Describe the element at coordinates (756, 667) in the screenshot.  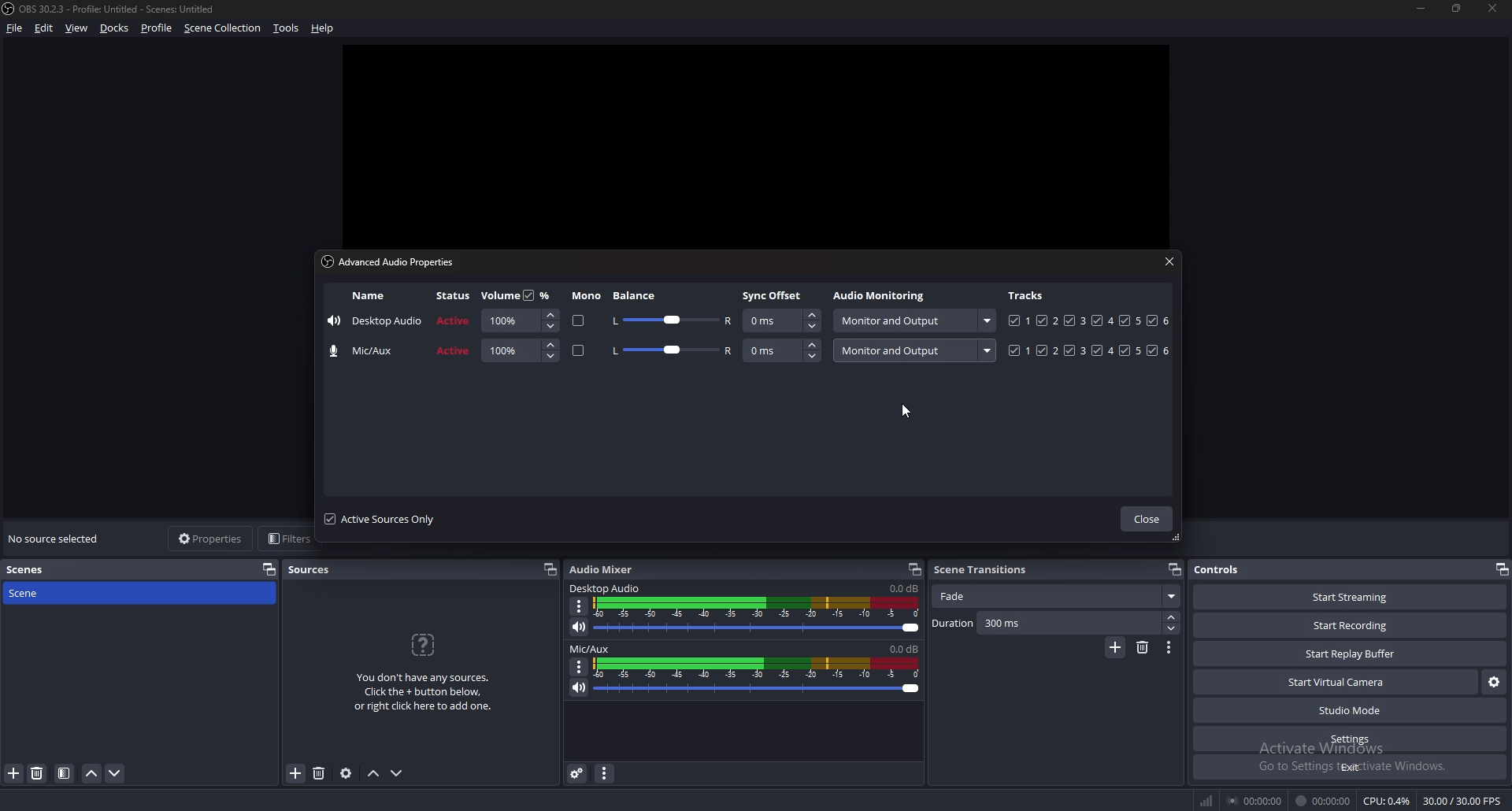
I see `volume test` at that location.